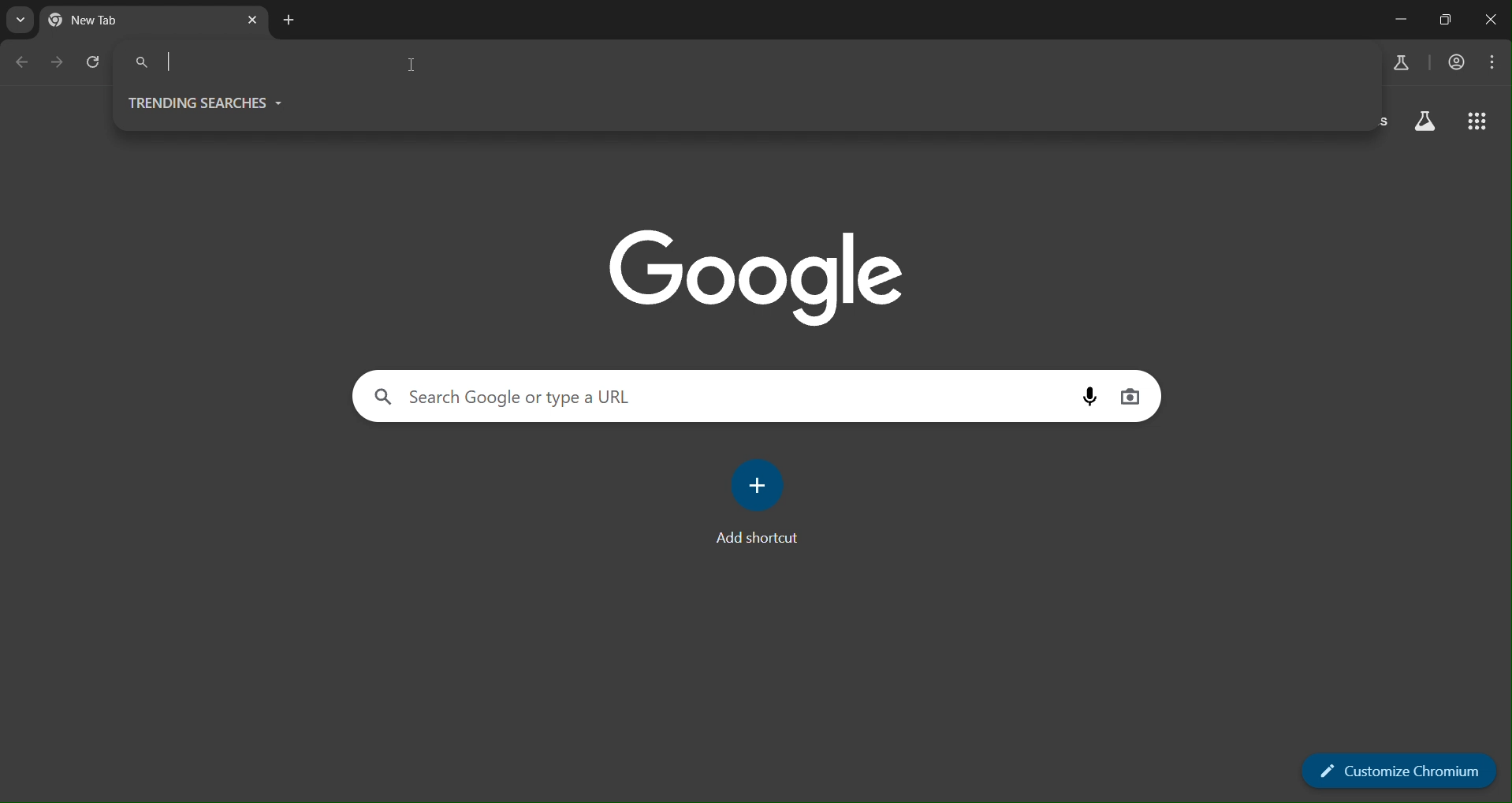 This screenshot has height=803, width=1512. What do you see at coordinates (746, 62) in the screenshot?
I see `search google or type a URL` at bounding box center [746, 62].